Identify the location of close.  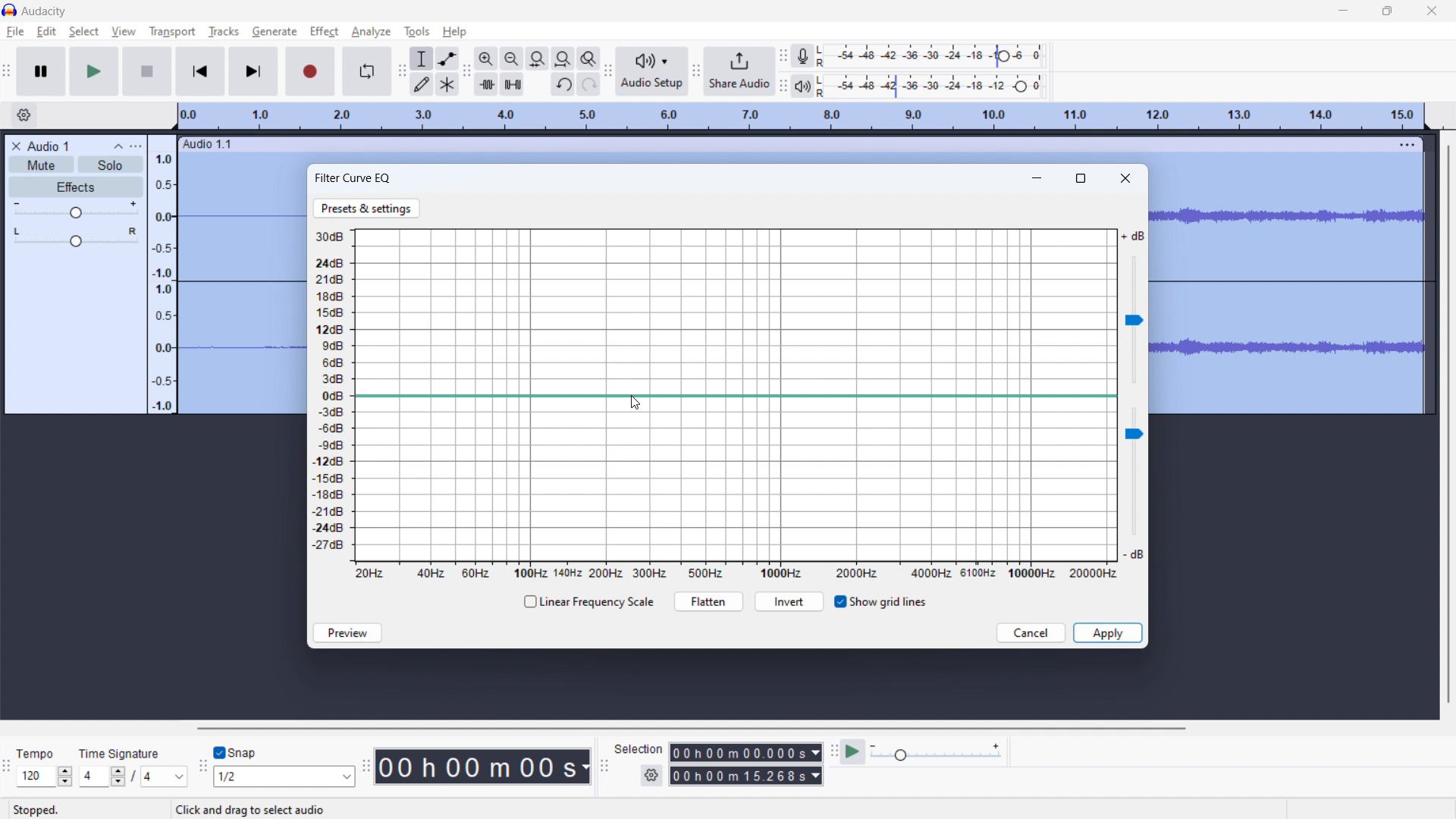
(1432, 10).